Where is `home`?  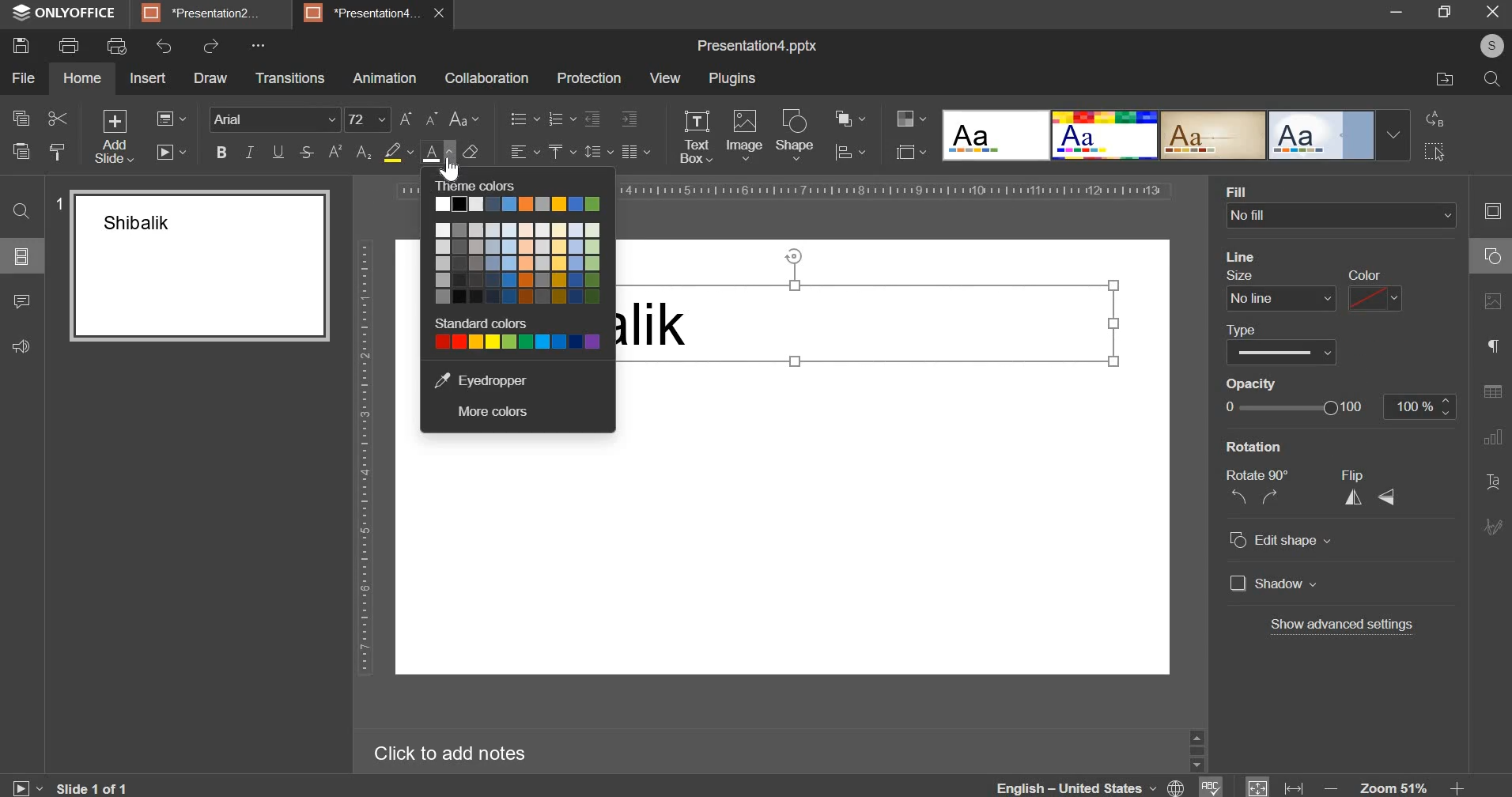 home is located at coordinates (82, 77).